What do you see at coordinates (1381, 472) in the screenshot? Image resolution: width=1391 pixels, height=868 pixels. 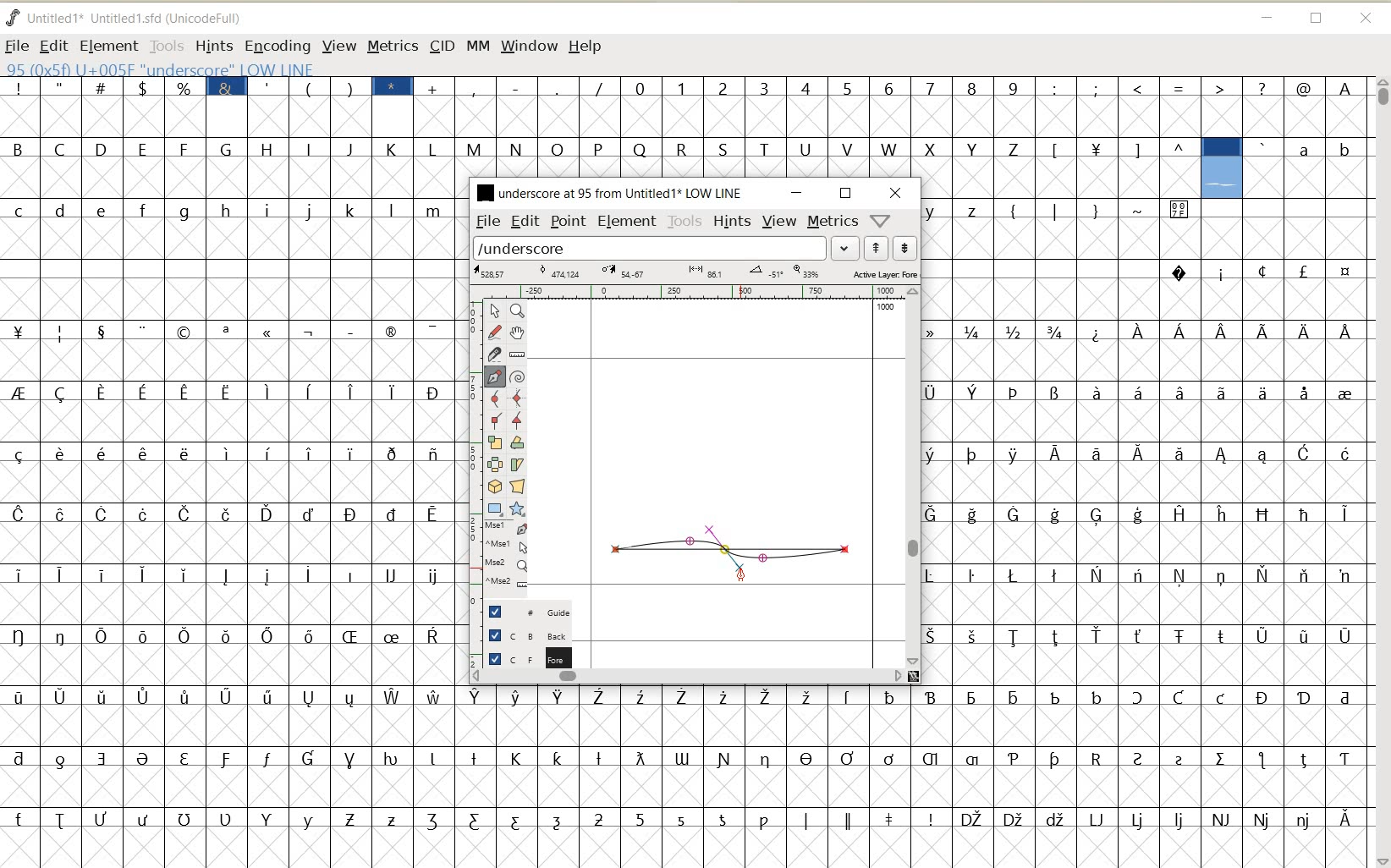 I see `SCROLLBAR` at bounding box center [1381, 472].